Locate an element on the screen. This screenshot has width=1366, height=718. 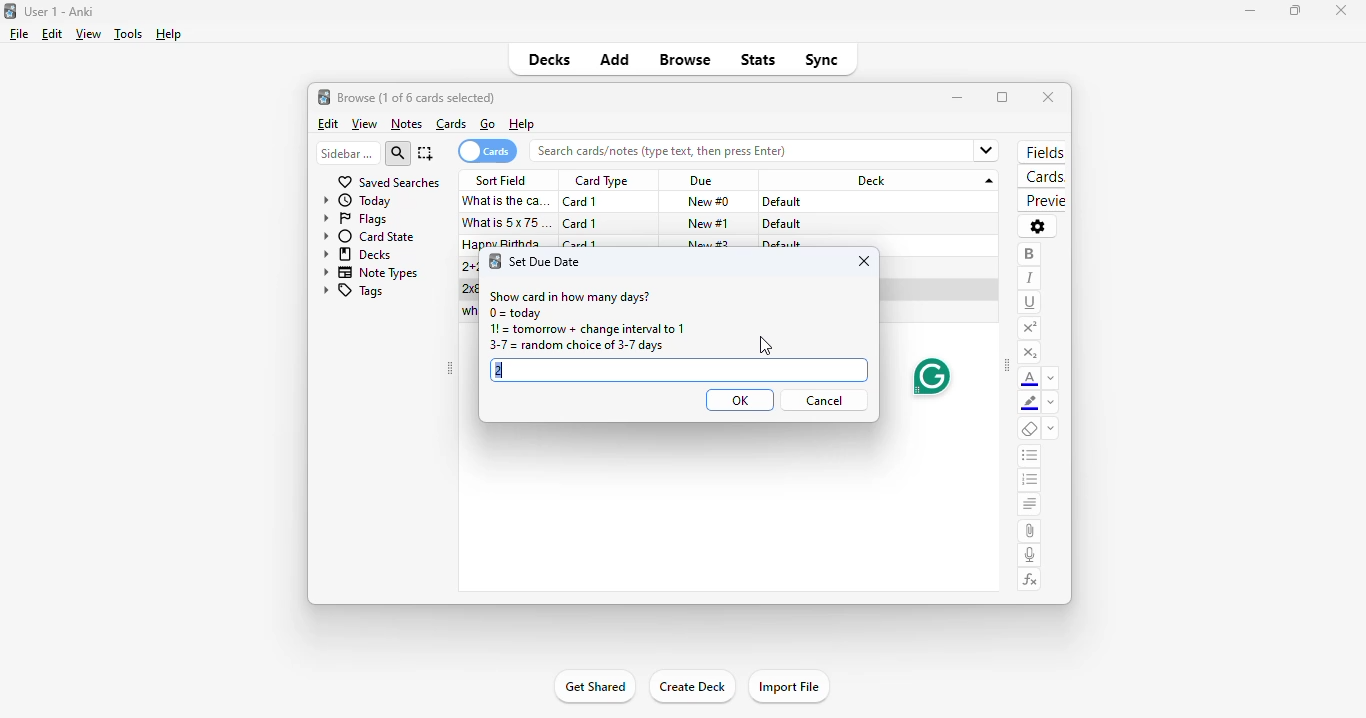
new #0 is located at coordinates (708, 202).